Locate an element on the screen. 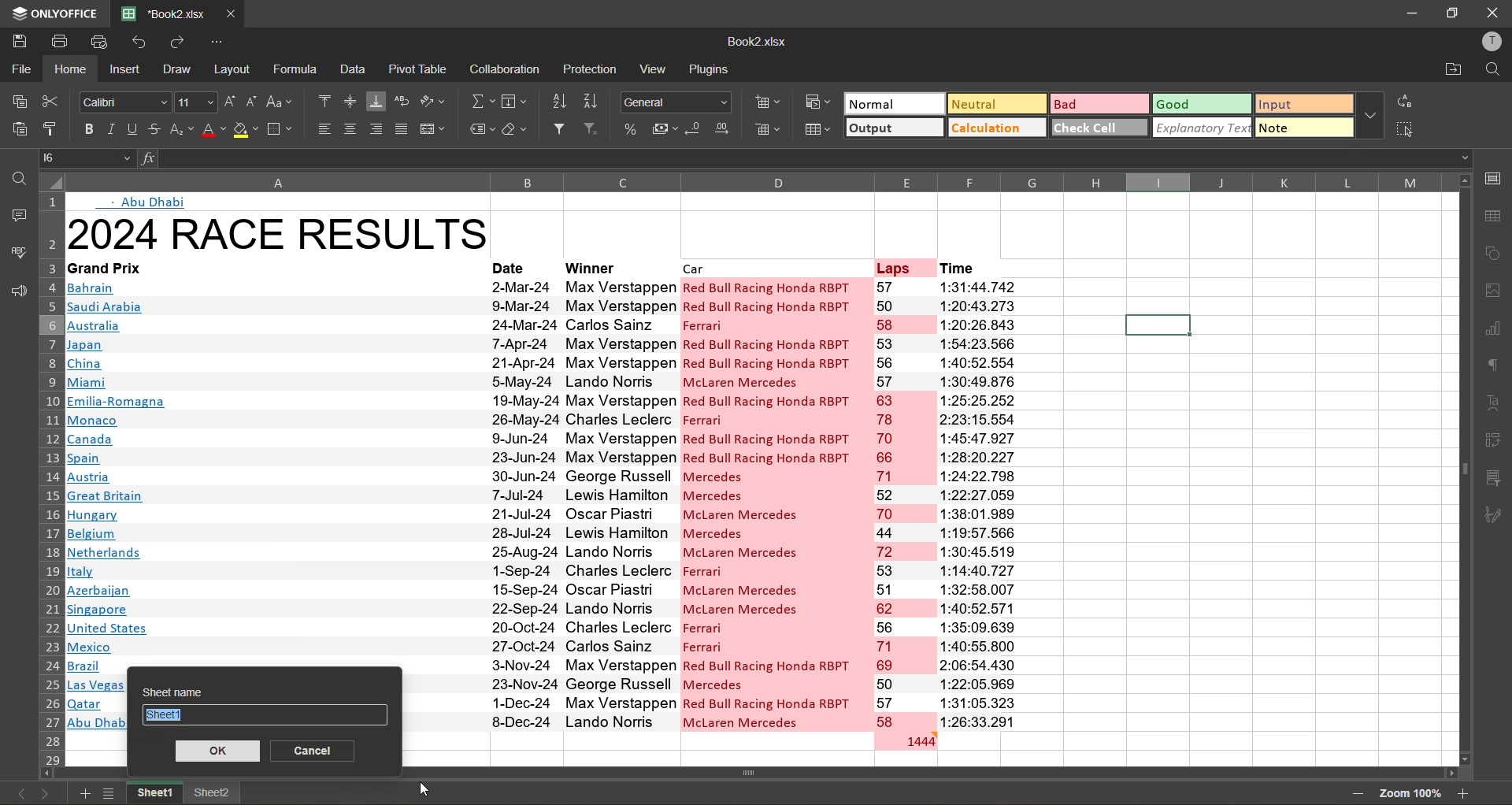 The image size is (1512, 805). font color is located at coordinates (212, 130).